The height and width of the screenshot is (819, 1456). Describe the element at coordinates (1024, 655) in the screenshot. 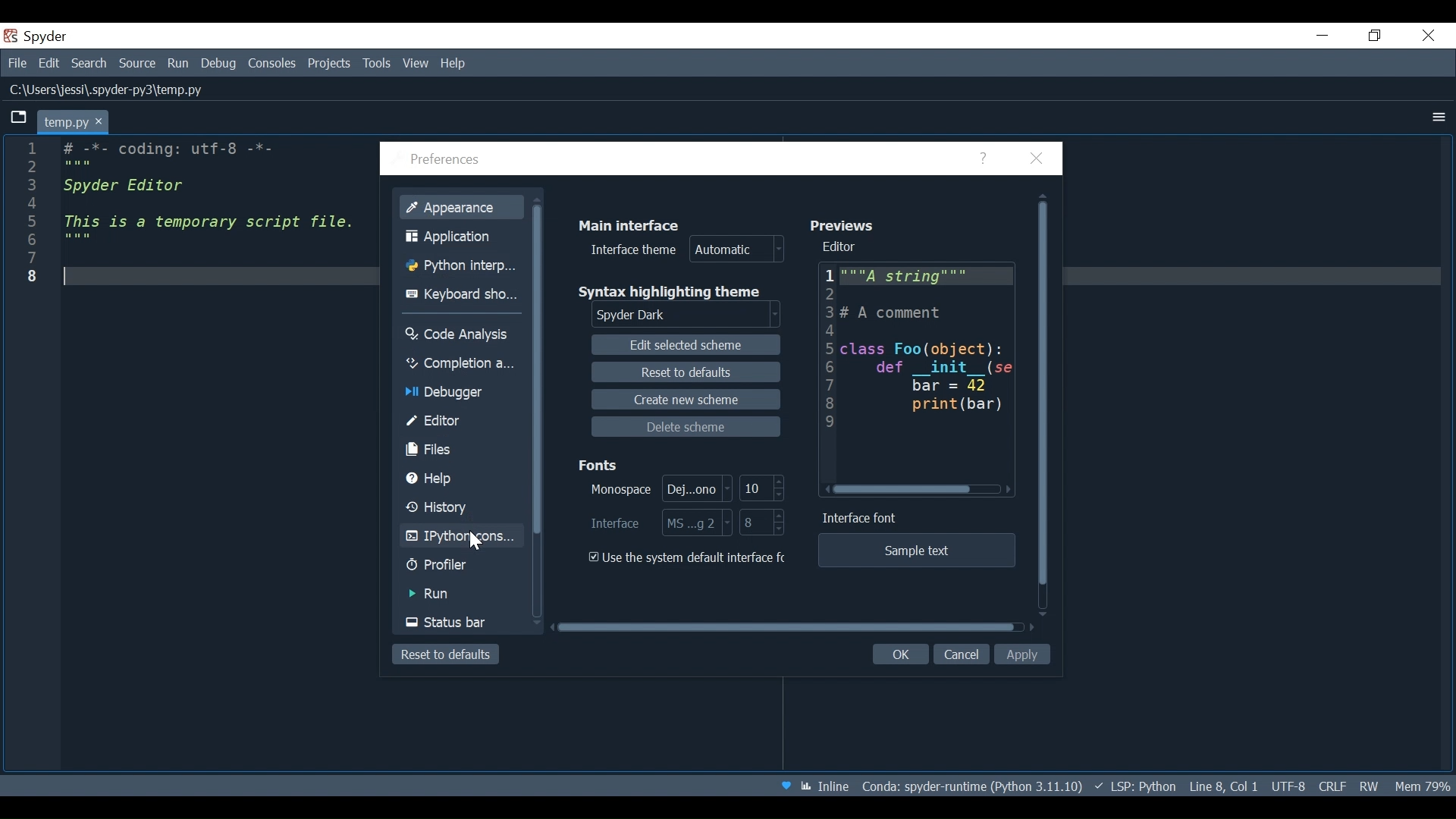

I see `Apply` at that location.